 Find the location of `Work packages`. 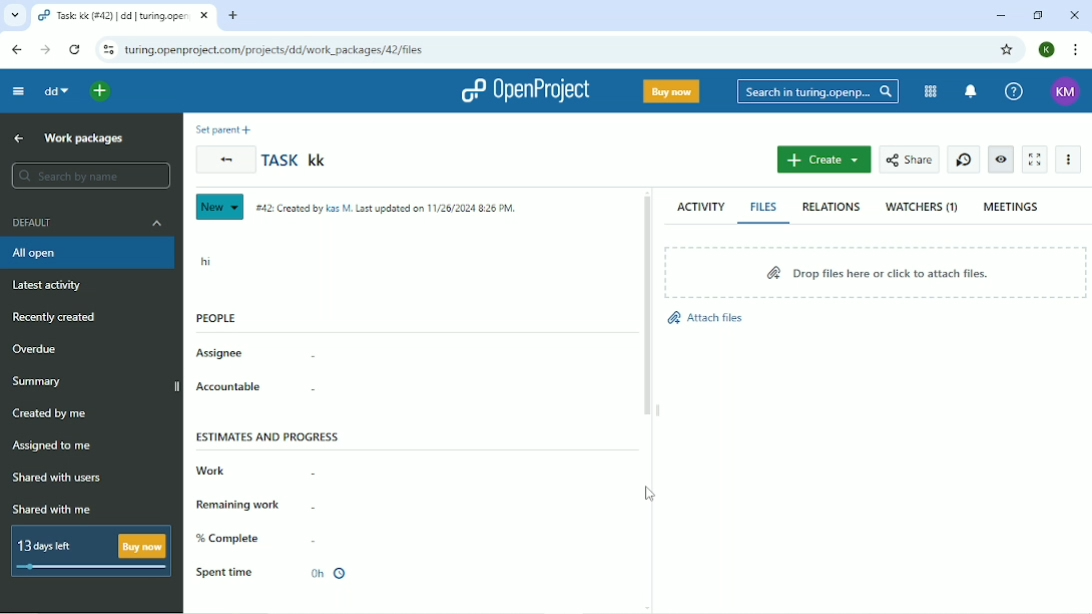

Work packages is located at coordinates (85, 139).